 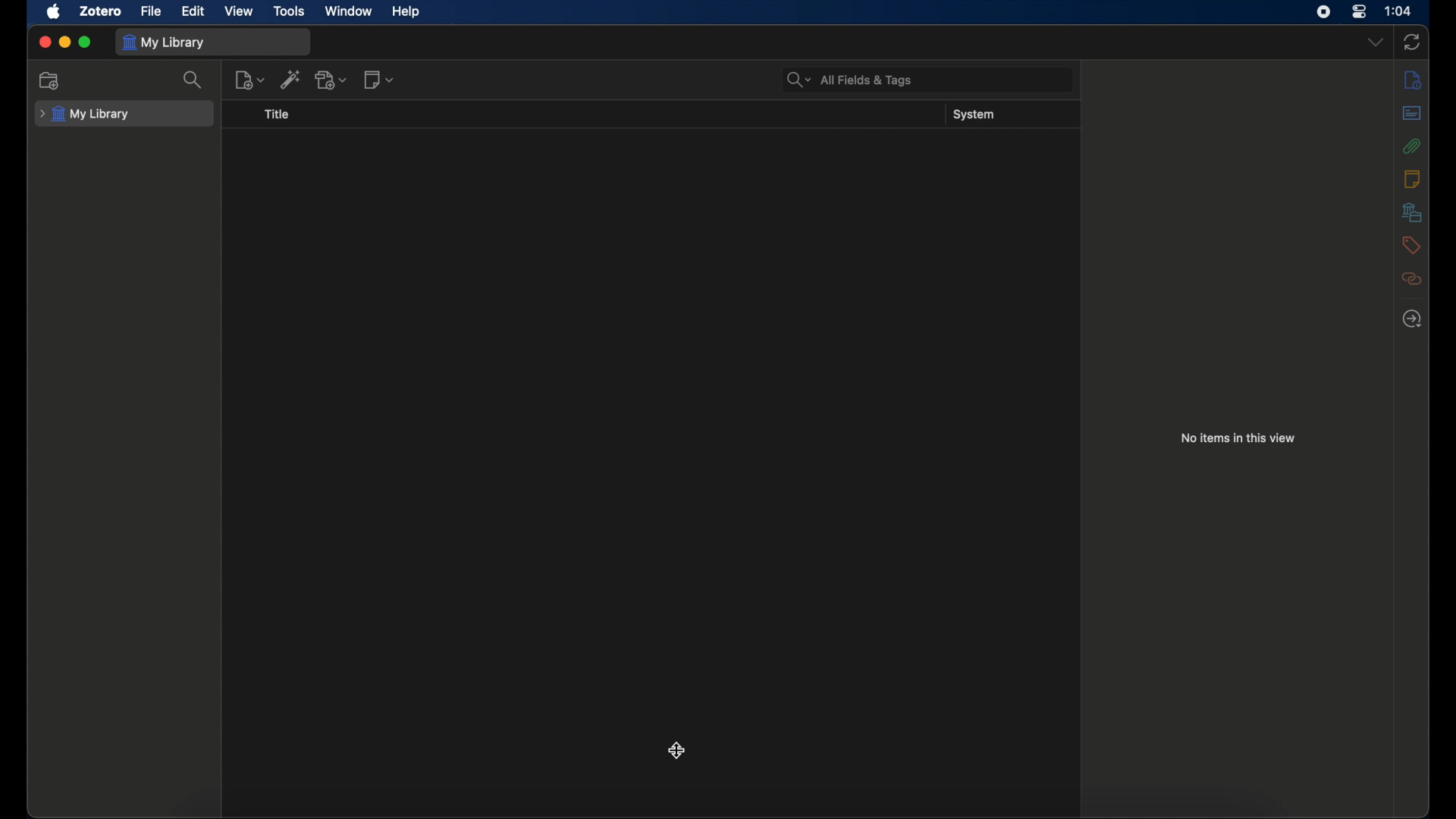 I want to click on window, so click(x=347, y=11).